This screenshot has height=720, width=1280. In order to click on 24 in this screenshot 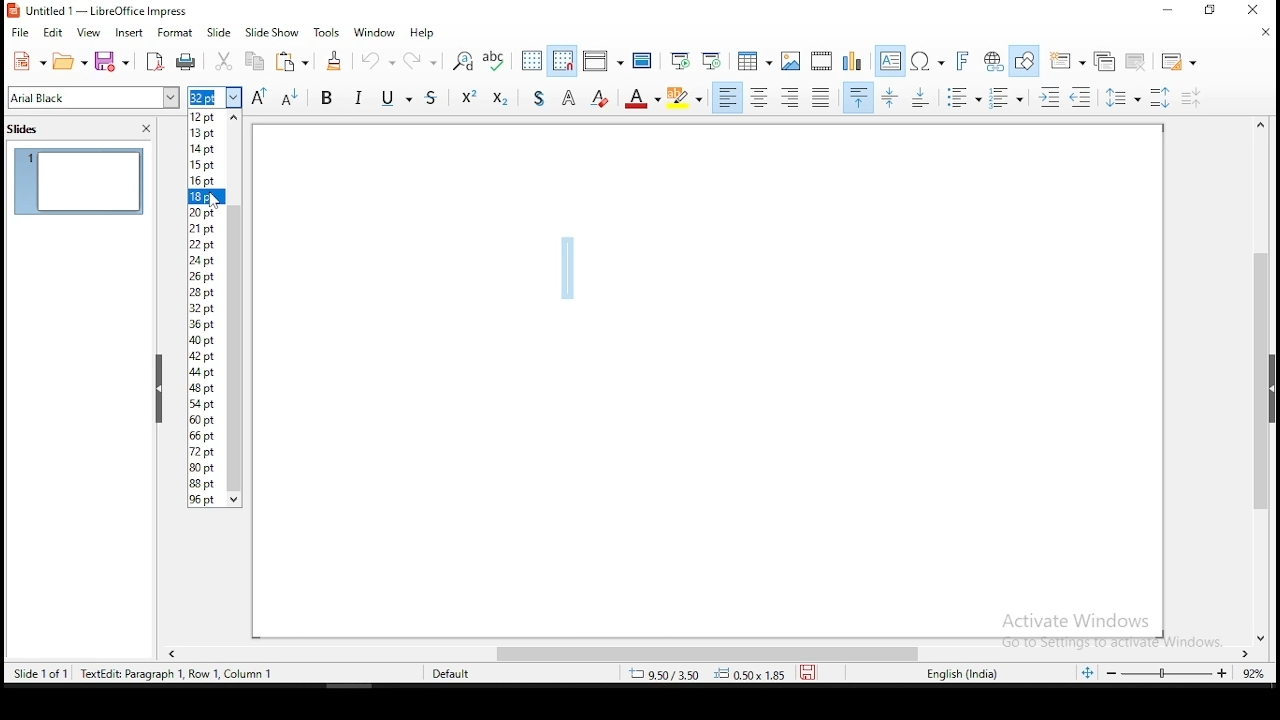, I will do `click(206, 260)`.